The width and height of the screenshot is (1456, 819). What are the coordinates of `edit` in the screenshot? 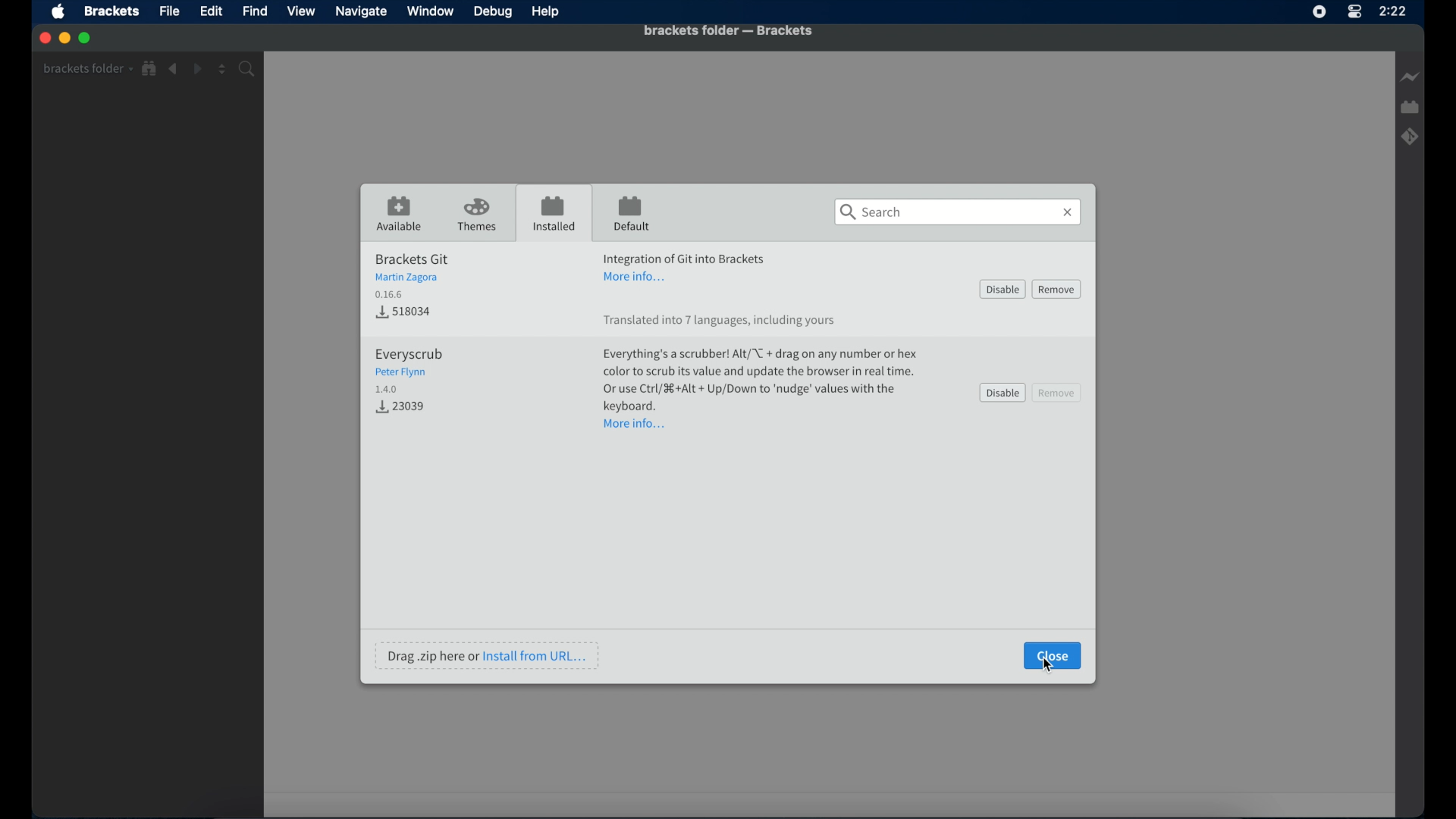 It's located at (211, 11).